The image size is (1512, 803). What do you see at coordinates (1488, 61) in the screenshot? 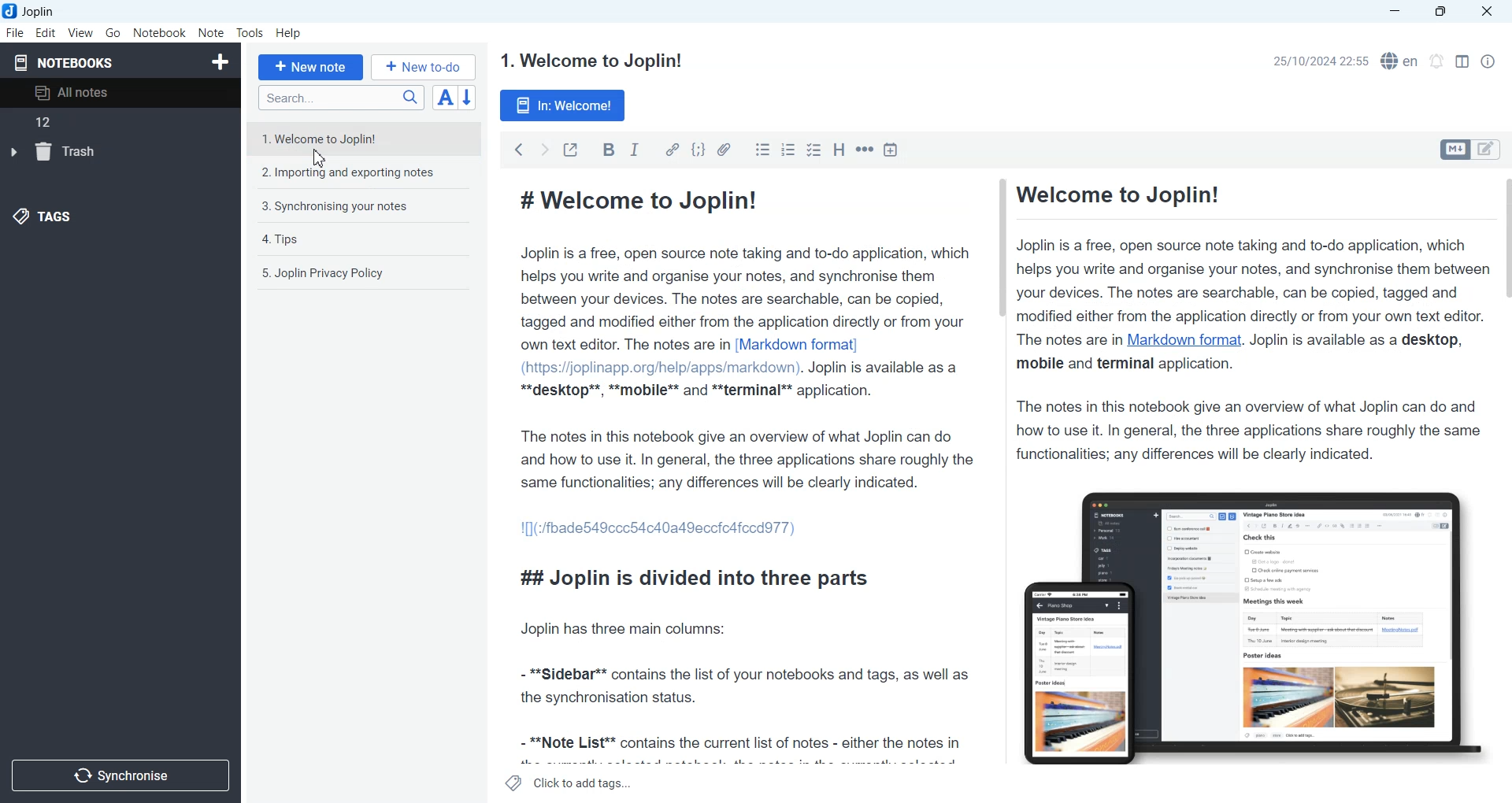
I see `Note Properties` at bounding box center [1488, 61].